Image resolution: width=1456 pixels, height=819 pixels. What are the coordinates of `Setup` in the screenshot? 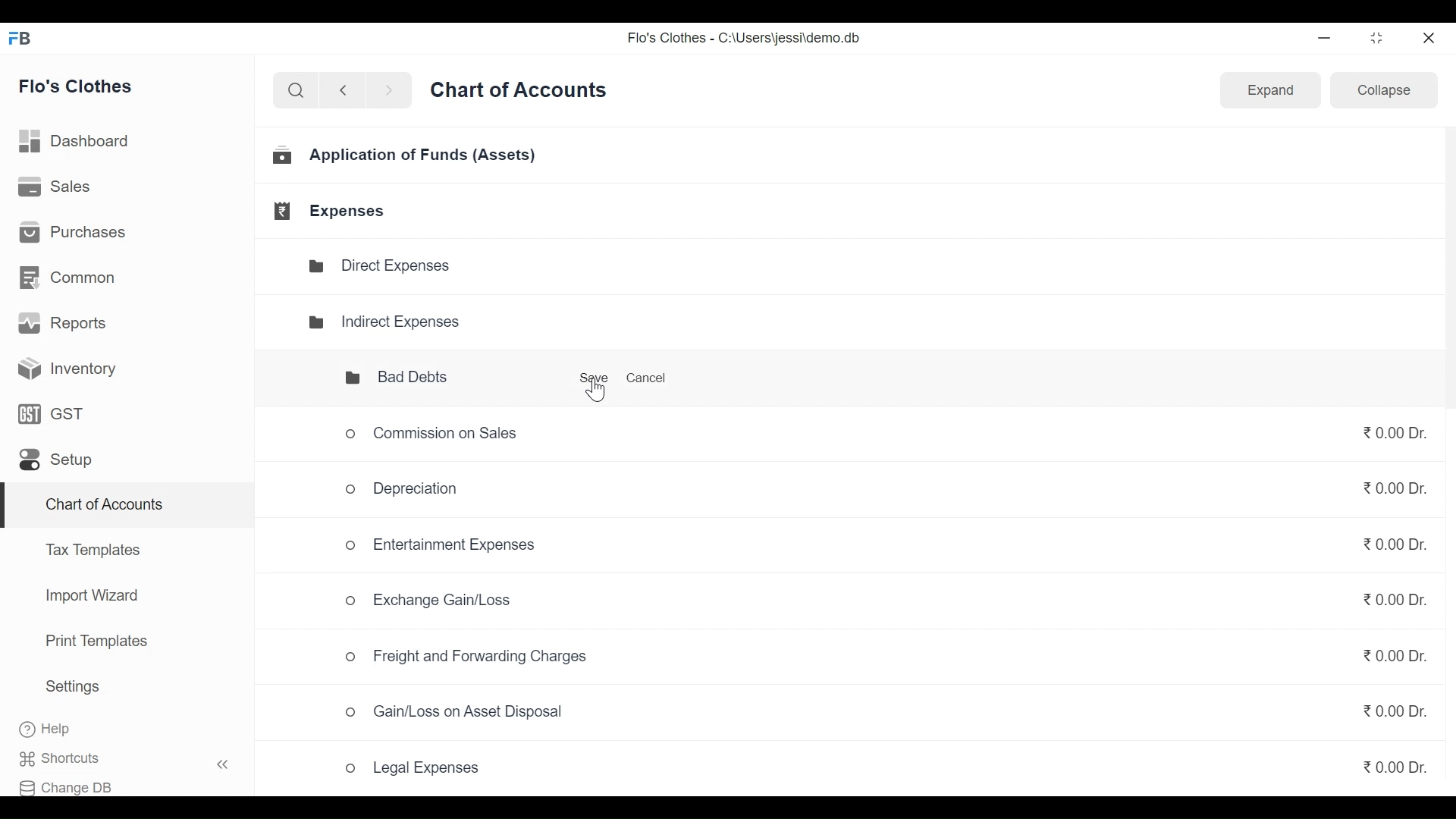 It's located at (55, 463).